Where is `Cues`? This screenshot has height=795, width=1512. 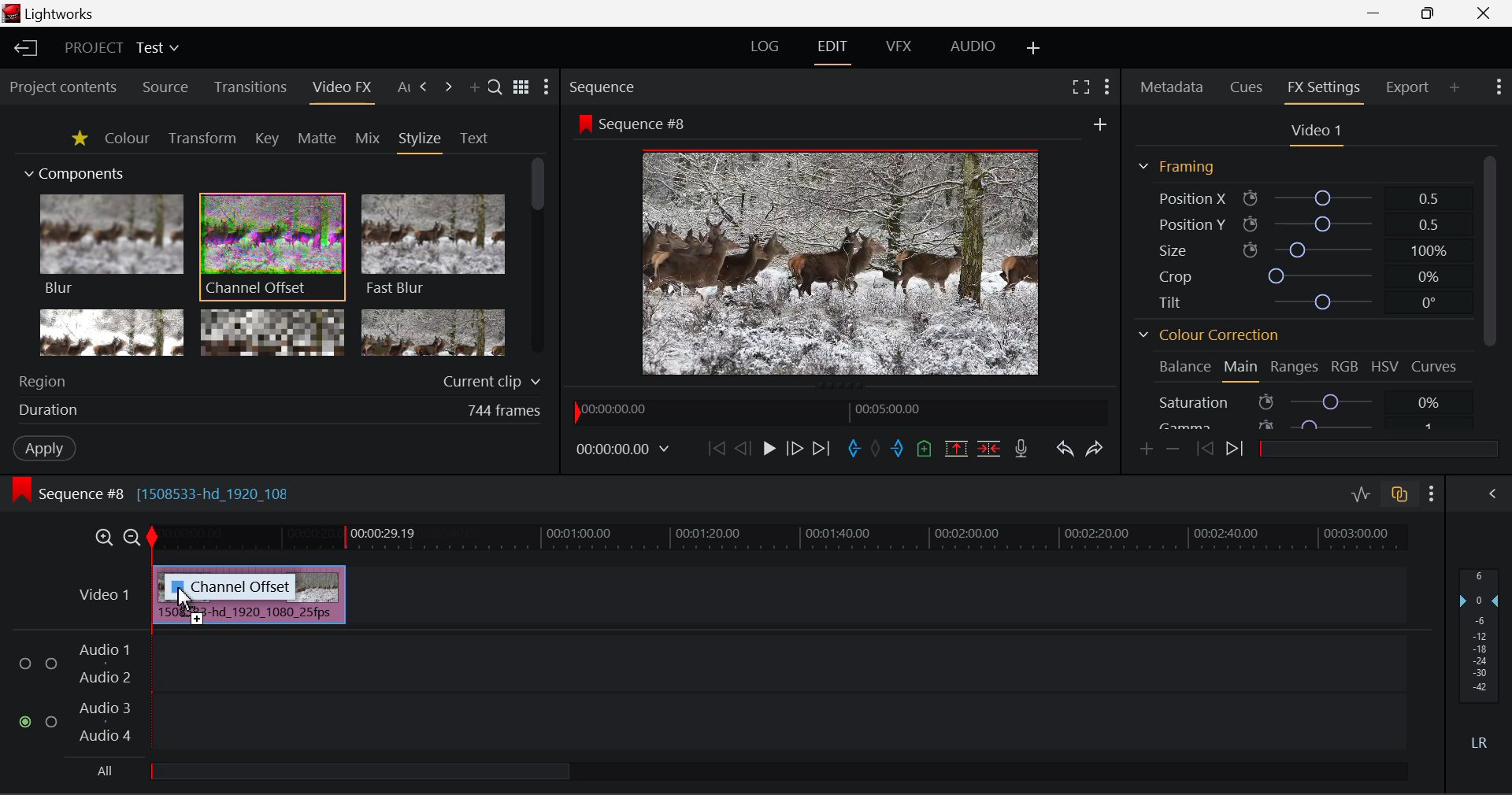 Cues is located at coordinates (1246, 87).